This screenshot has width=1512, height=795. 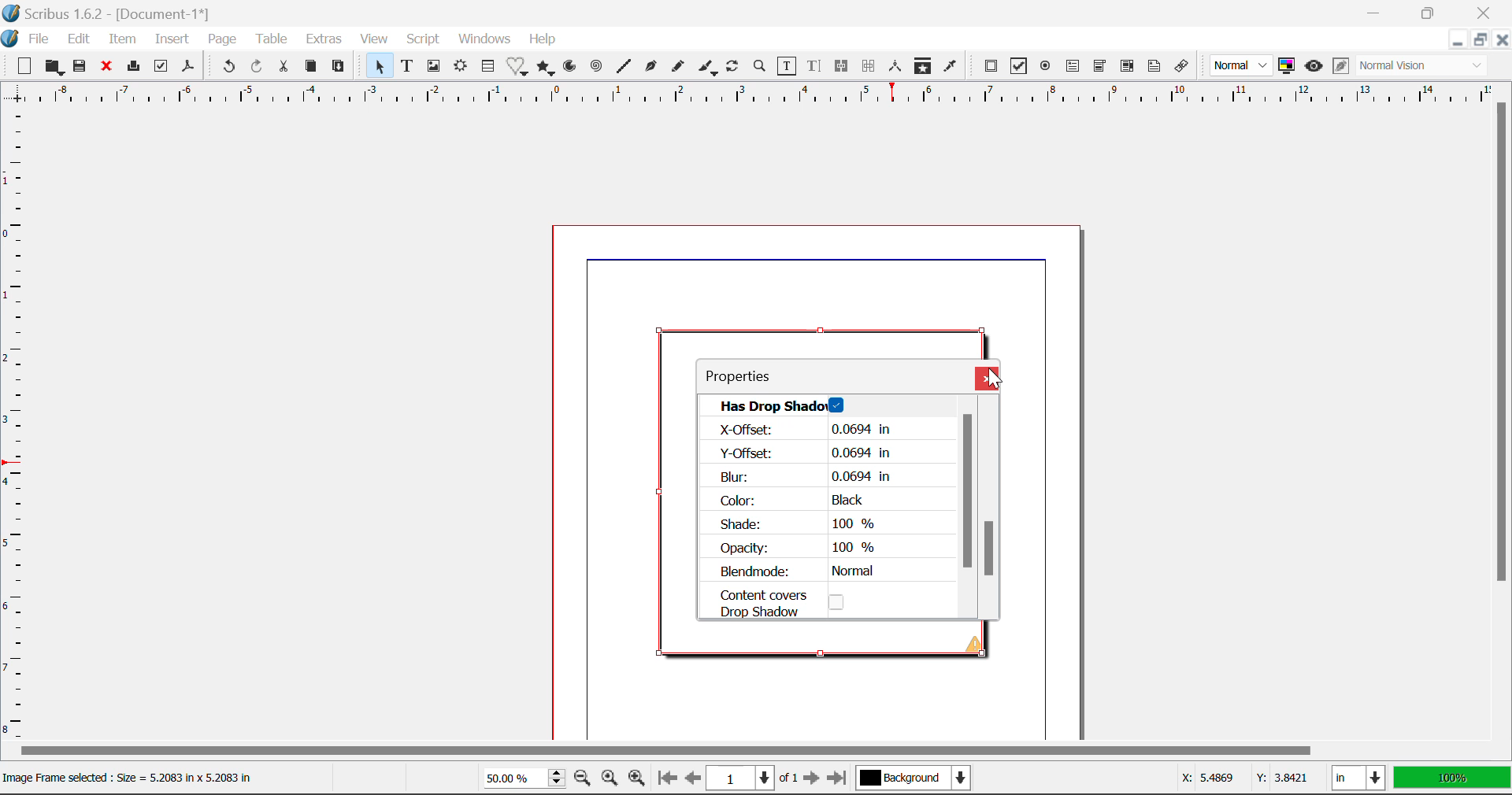 What do you see at coordinates (1484, 11) in the screenshot?
I see `Close` at bounding box center [1484, 11].